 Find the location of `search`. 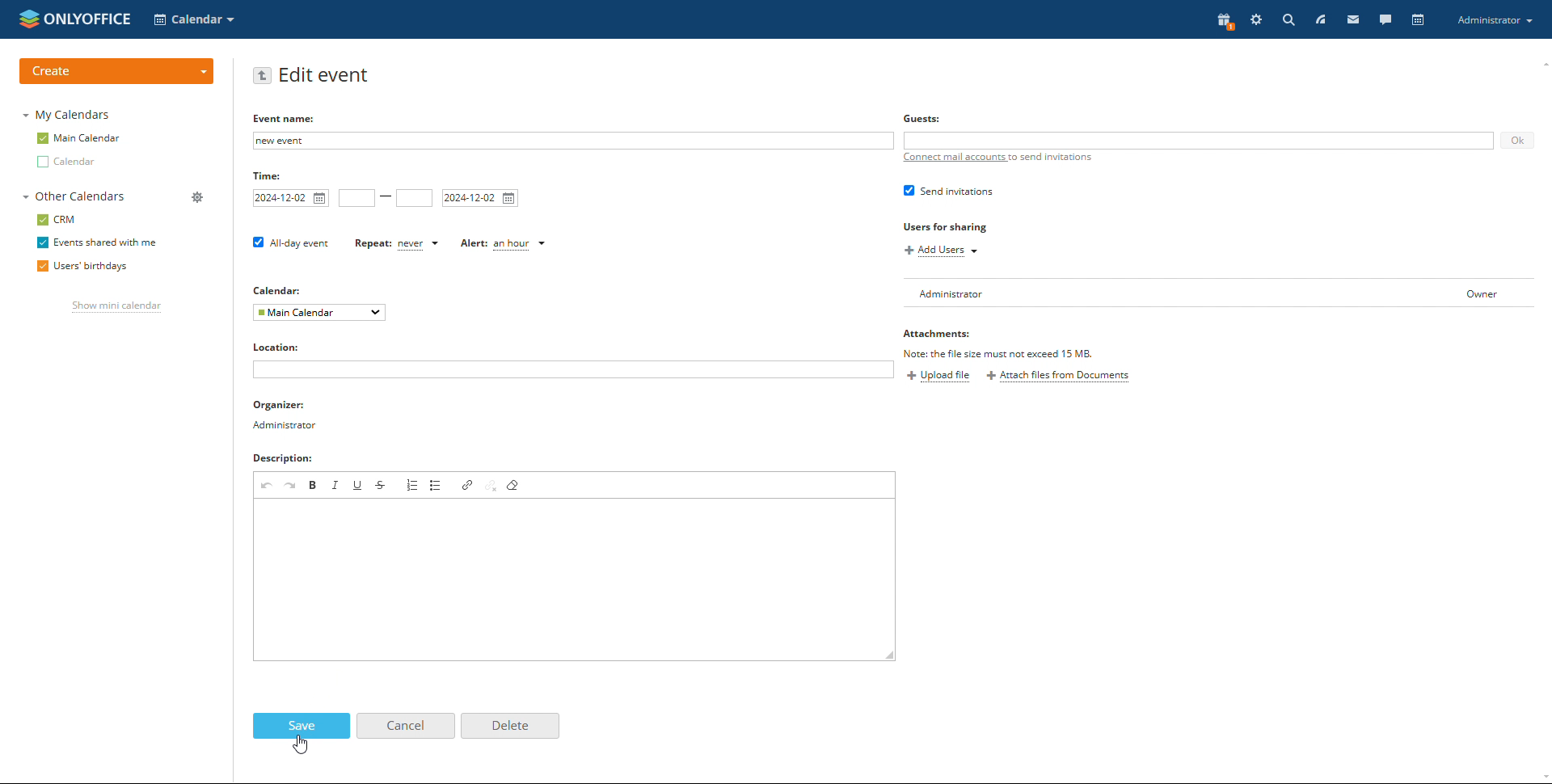

search is located at coordinates (1290, 20).